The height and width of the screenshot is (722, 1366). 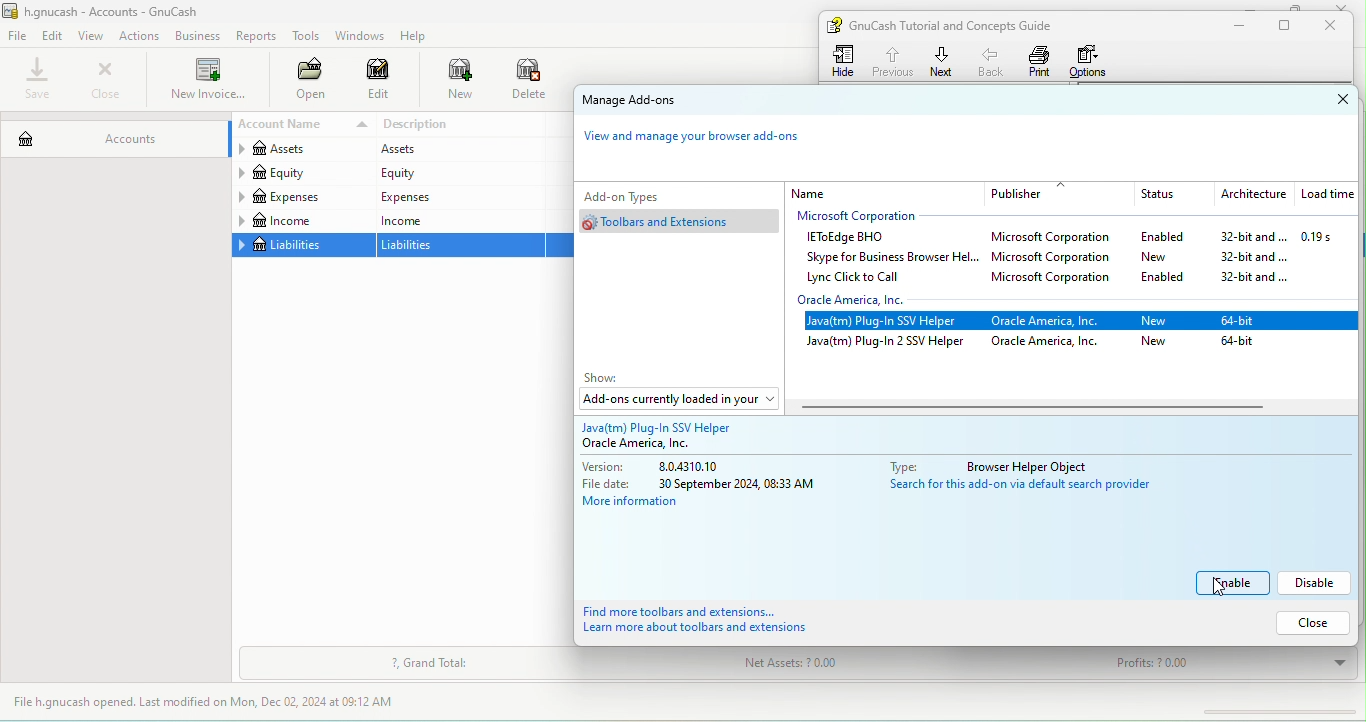 I want to click on type  browser helper object, so click(x=1002, y=464).